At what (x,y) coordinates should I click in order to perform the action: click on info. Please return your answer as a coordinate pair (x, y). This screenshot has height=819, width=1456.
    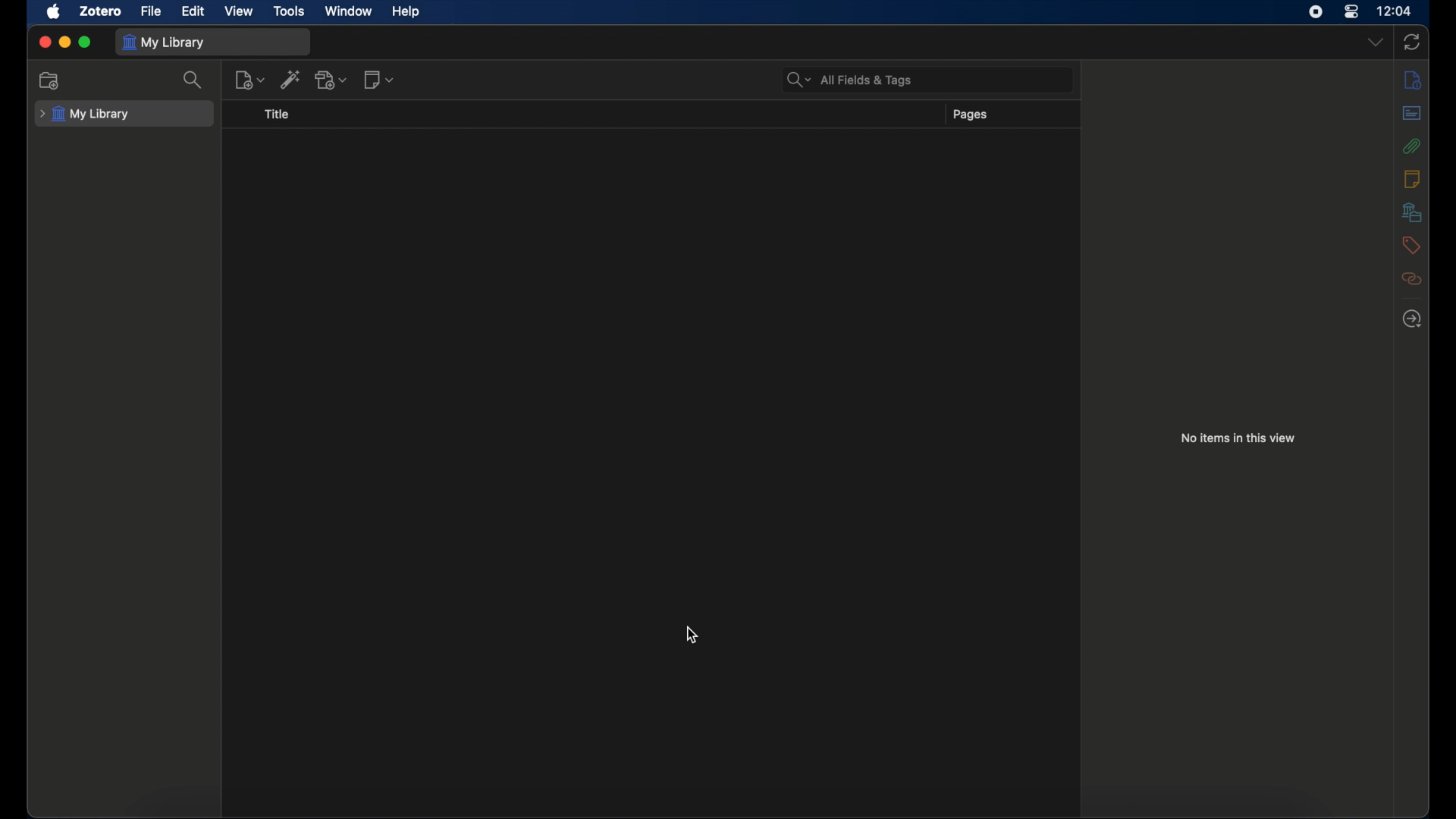
    Looking at the image, I should click on (1412, 80).